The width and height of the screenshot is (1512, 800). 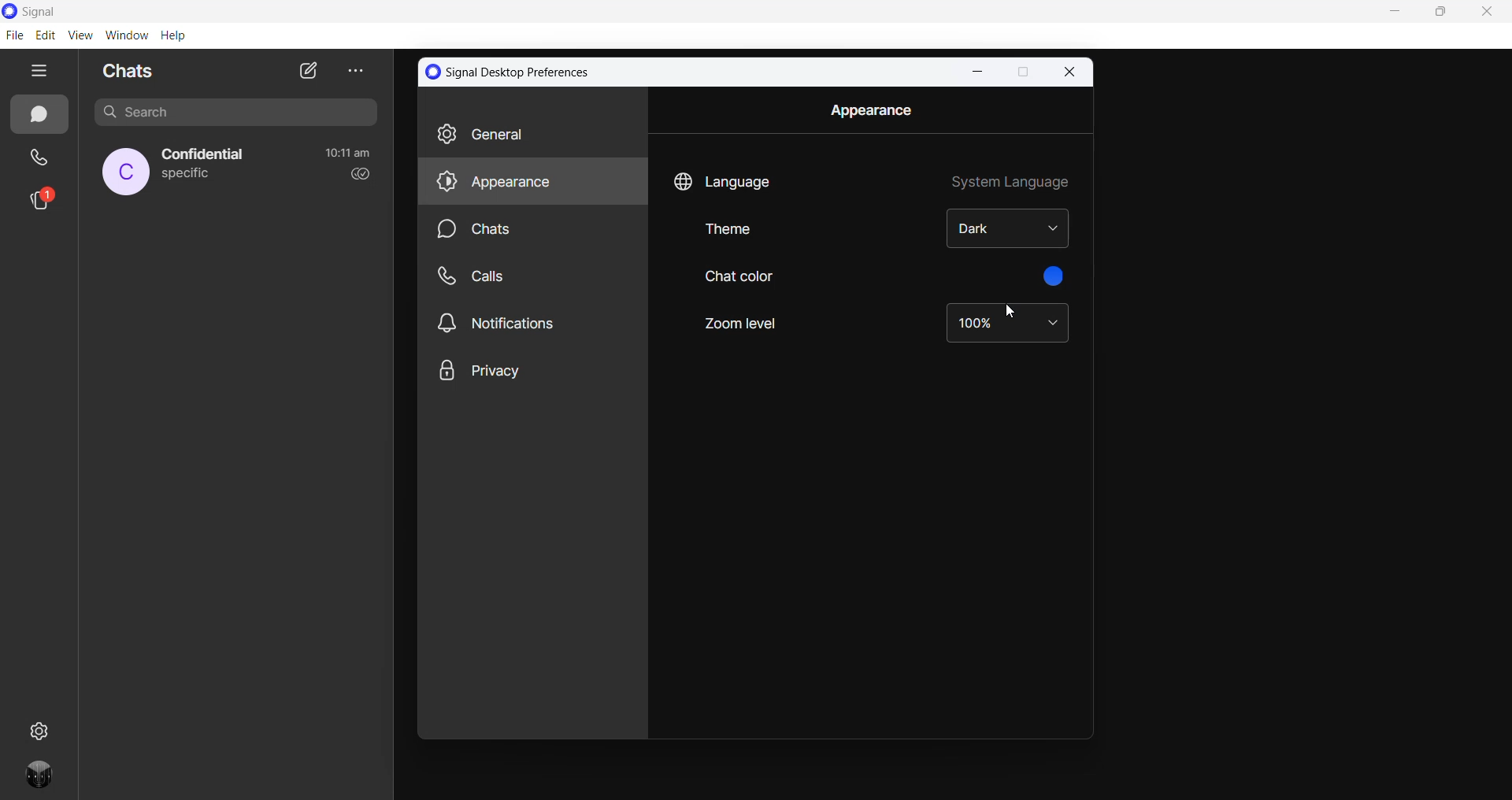 I want to click on general, so click(x=531, y=135).